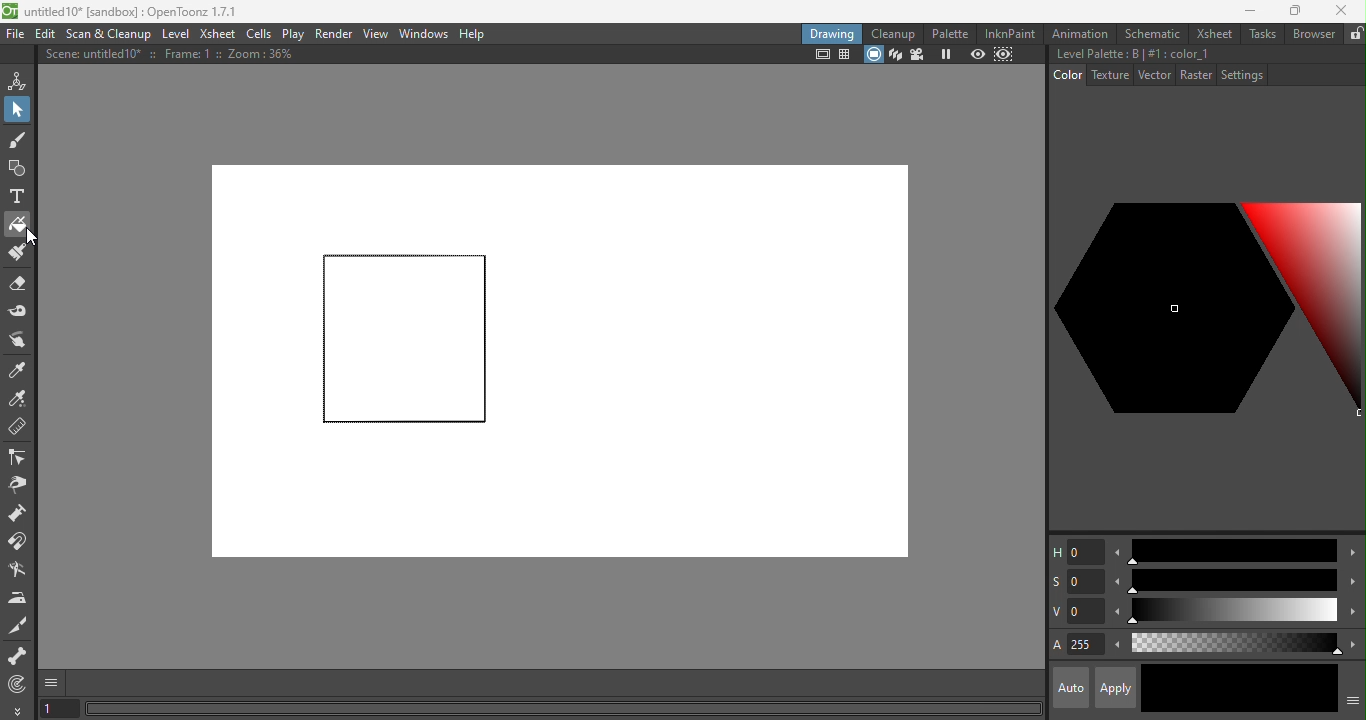 The image size is (1366, 720). What do you see at coordinates (43, 35) in the screenshot?
I see `Edit` at bounding box center [43, 35].